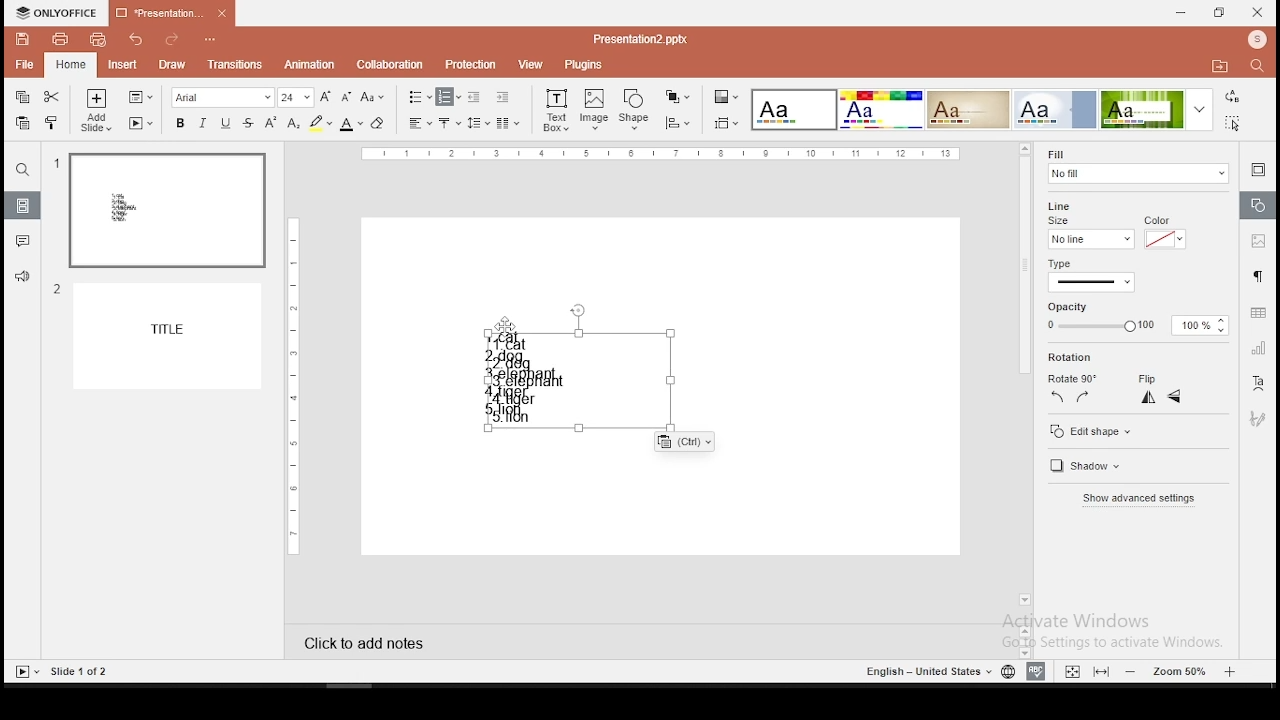 Image resolution: width=1280 pixels, height=720 pixels. What do you see at coordinates (54, 95) in the screenshot?
I see `cut` at bounding box center [54, 95].